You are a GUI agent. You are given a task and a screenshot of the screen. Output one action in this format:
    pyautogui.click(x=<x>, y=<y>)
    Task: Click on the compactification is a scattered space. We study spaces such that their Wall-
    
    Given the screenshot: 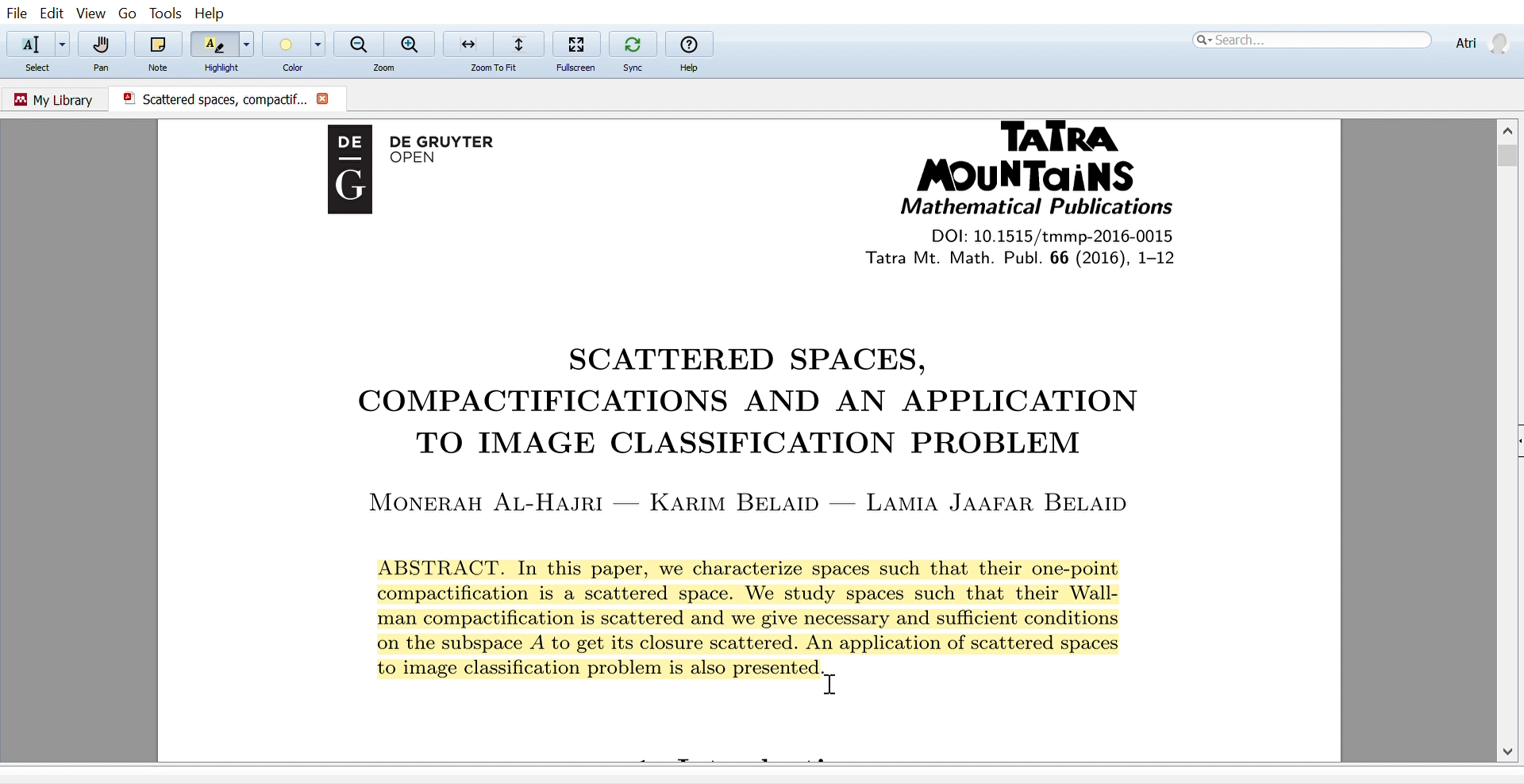 What is the action you would take?
    pyautogui.click(x=791, y=596)
    